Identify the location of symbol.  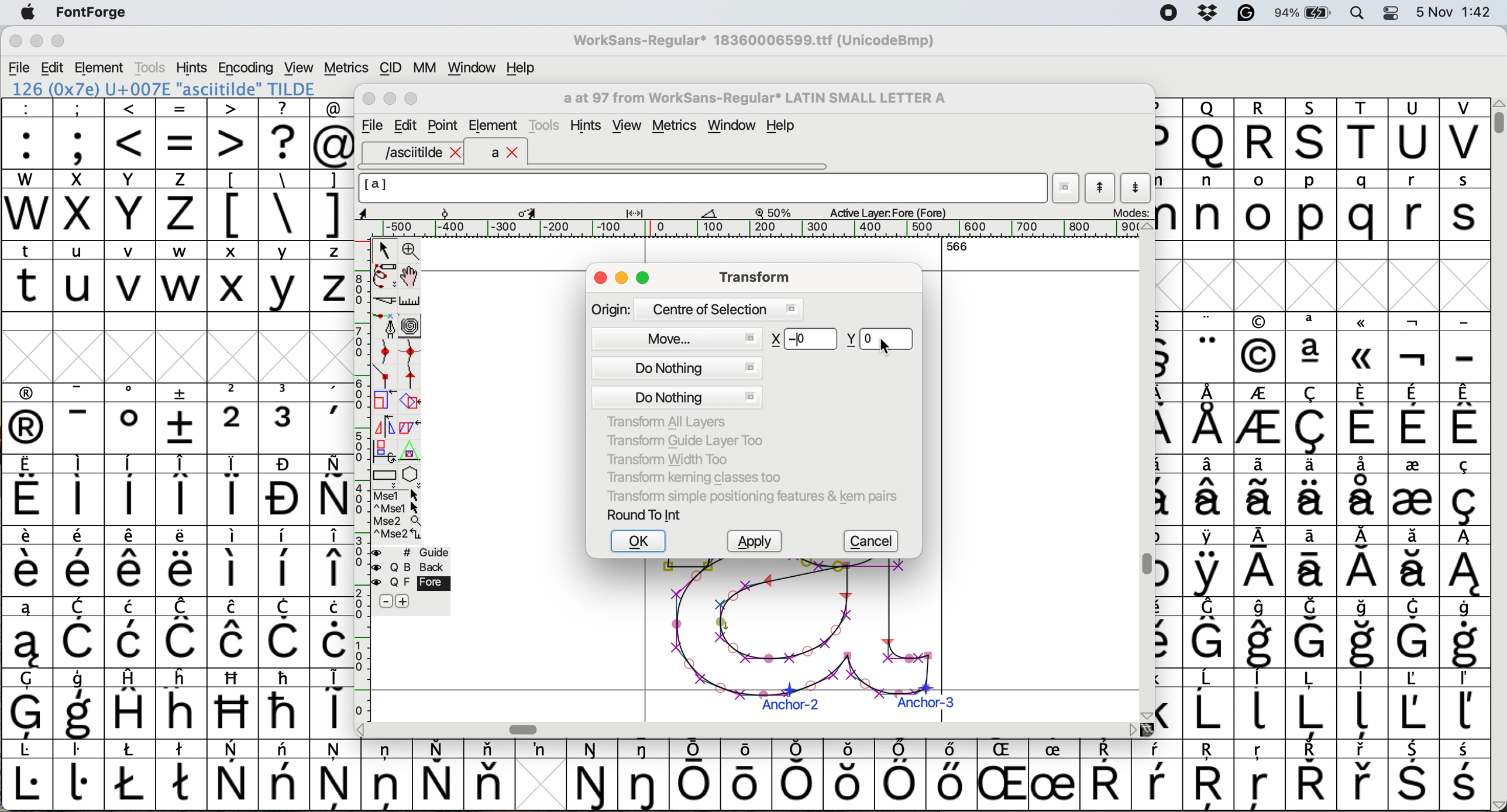
(1414, 776).